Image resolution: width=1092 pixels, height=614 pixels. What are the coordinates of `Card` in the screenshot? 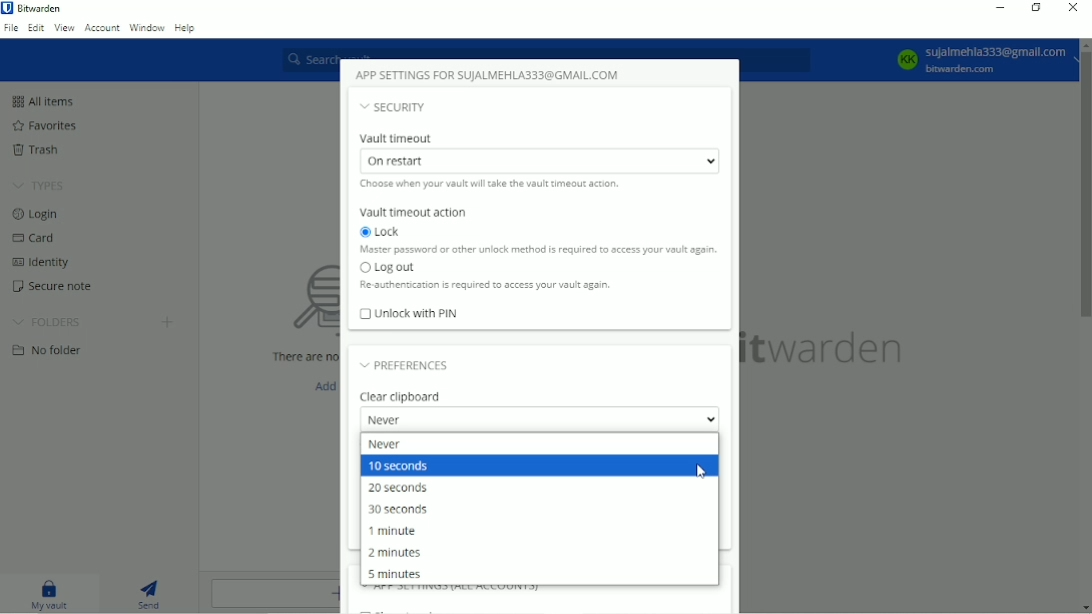 It's located at (38, 237).